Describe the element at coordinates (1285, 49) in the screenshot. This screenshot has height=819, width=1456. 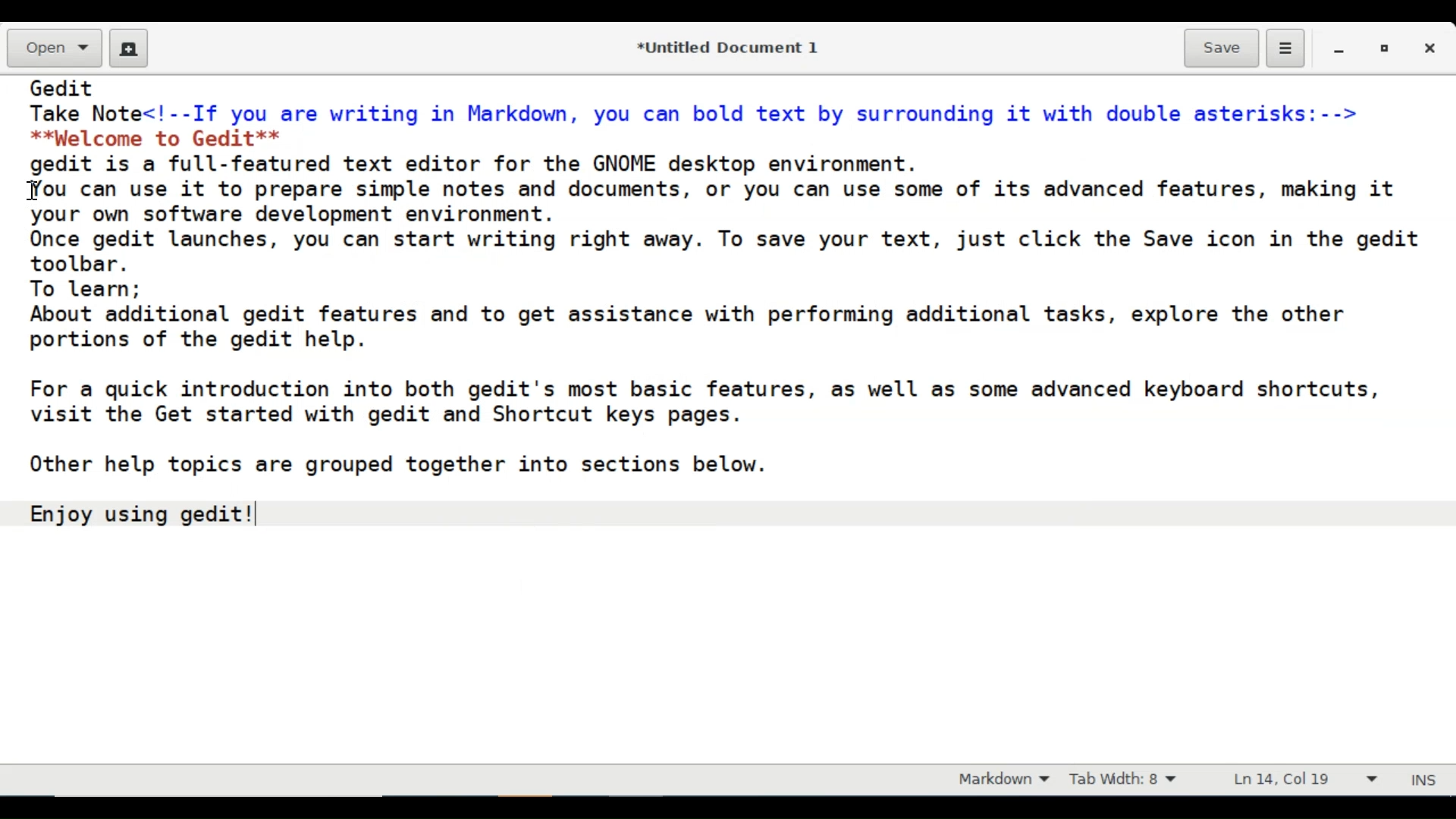
I see `Application menu` at that location.